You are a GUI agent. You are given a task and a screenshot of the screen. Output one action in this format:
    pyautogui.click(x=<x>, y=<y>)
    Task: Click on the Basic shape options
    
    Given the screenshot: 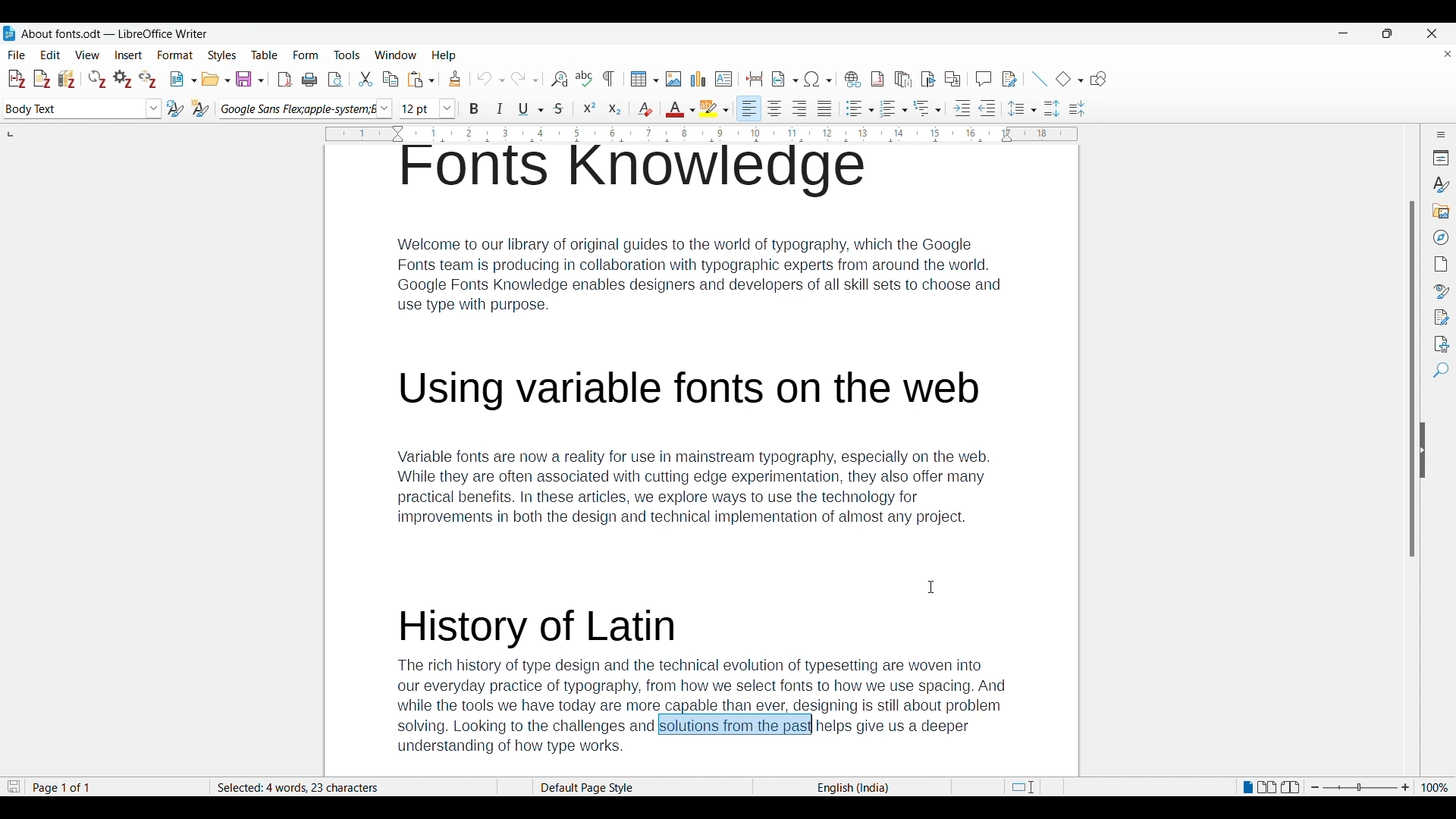 What is the action you would take?
    pyautogui.click(x=1069, y=79)
    